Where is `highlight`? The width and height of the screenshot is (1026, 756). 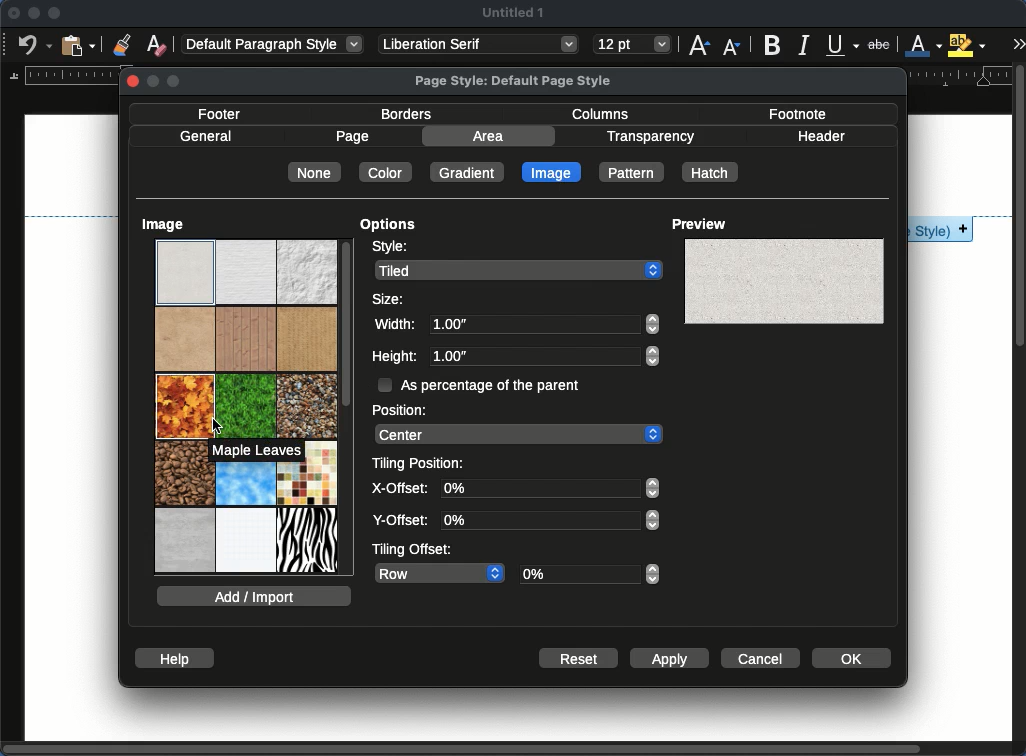 highlight is located at coordinates (966, 45).